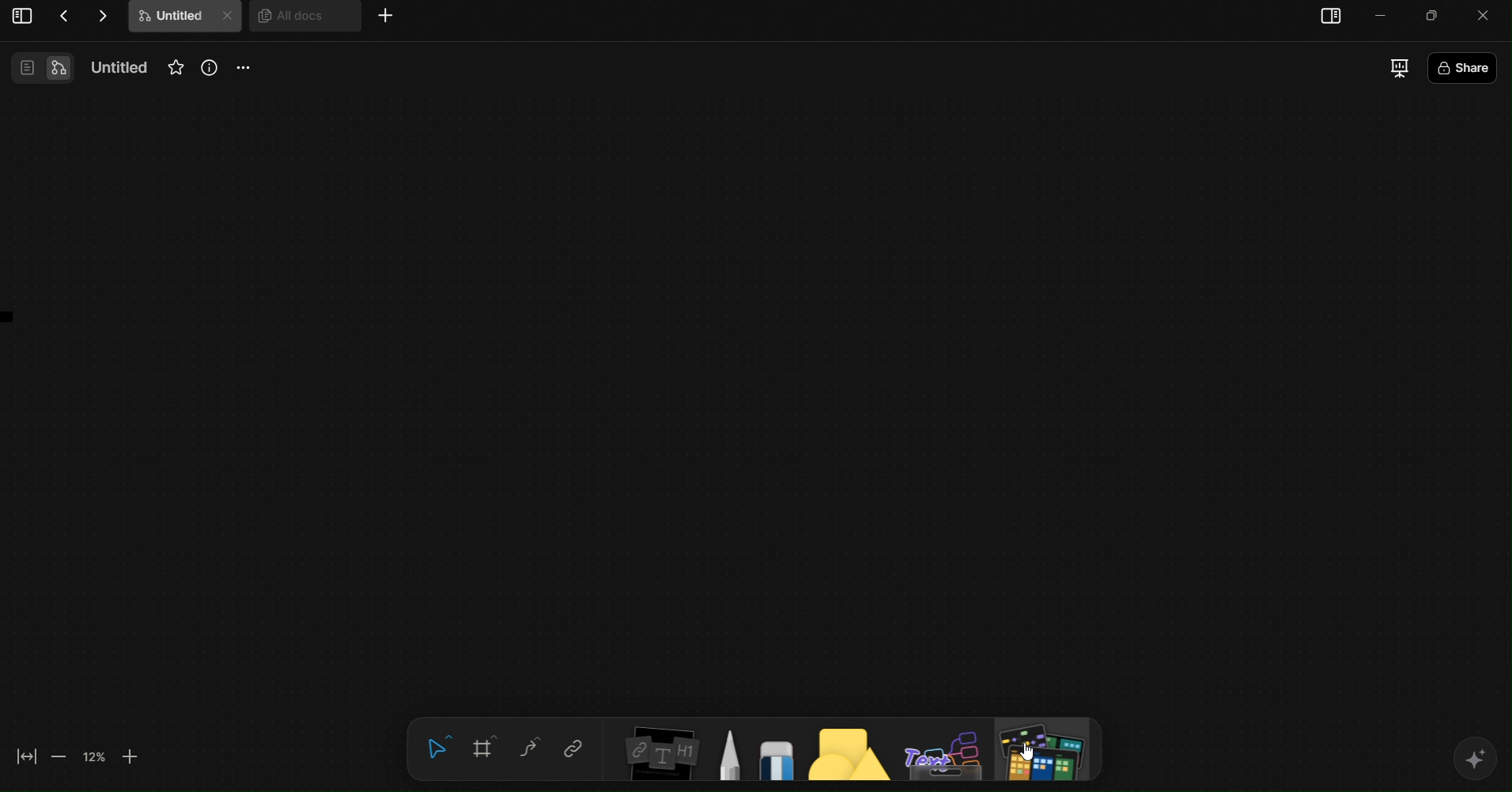 The width and height of the screenshot is (1512, 792). Describe the element at coordinates (40, 67) in the screenshot. I see `View` at that location.